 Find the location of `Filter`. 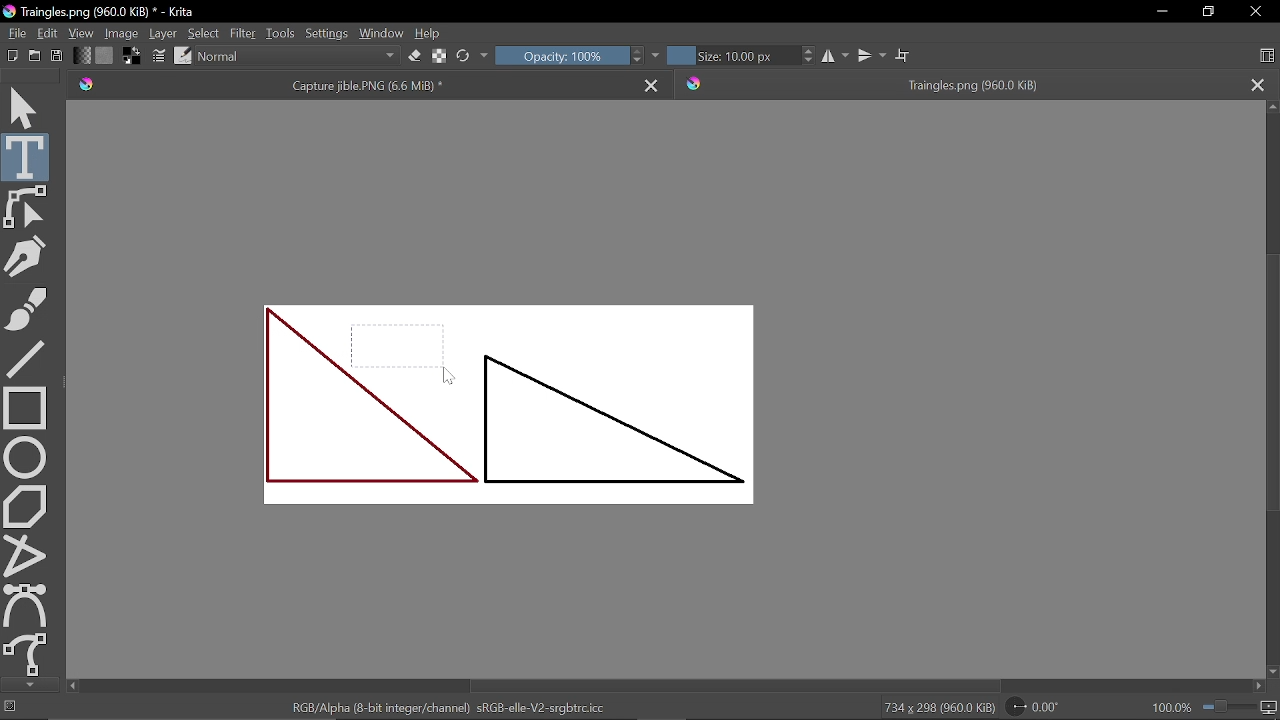

Filter is located at coordinates (243, 34).